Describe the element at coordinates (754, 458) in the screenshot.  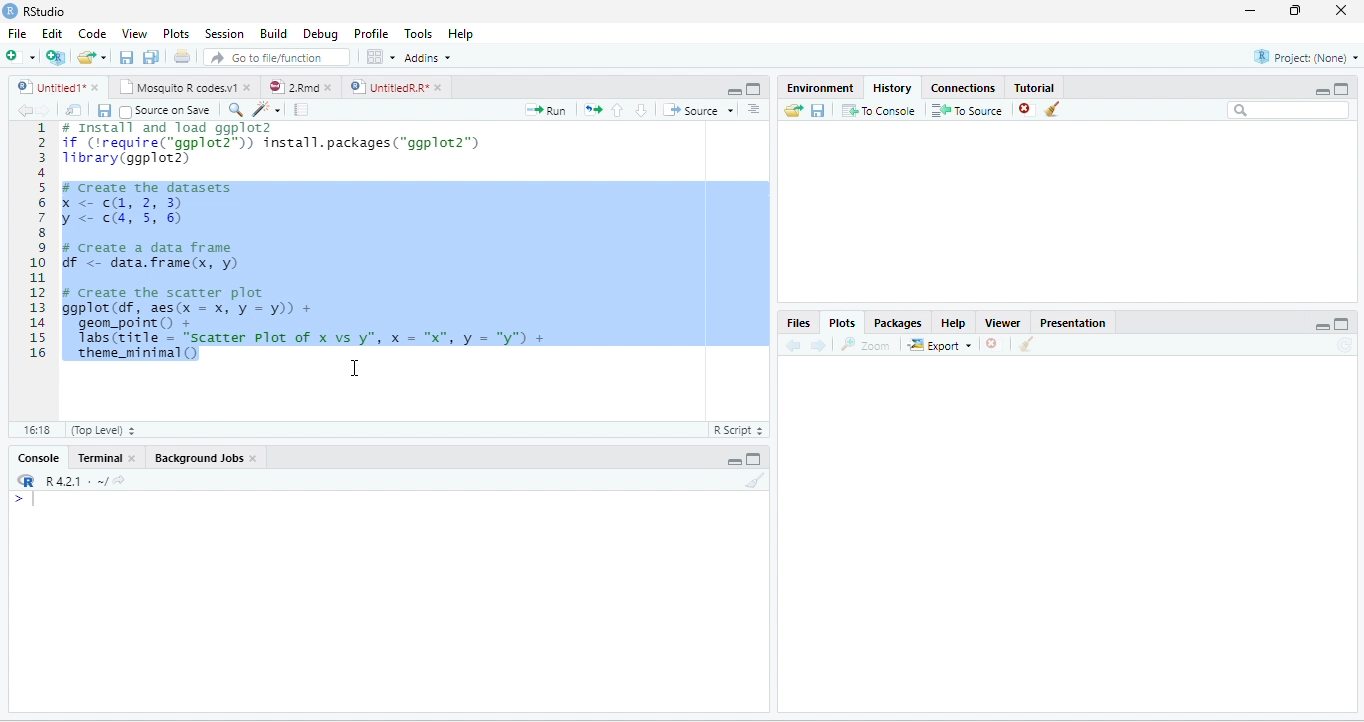
I see `Maximize` at that location.